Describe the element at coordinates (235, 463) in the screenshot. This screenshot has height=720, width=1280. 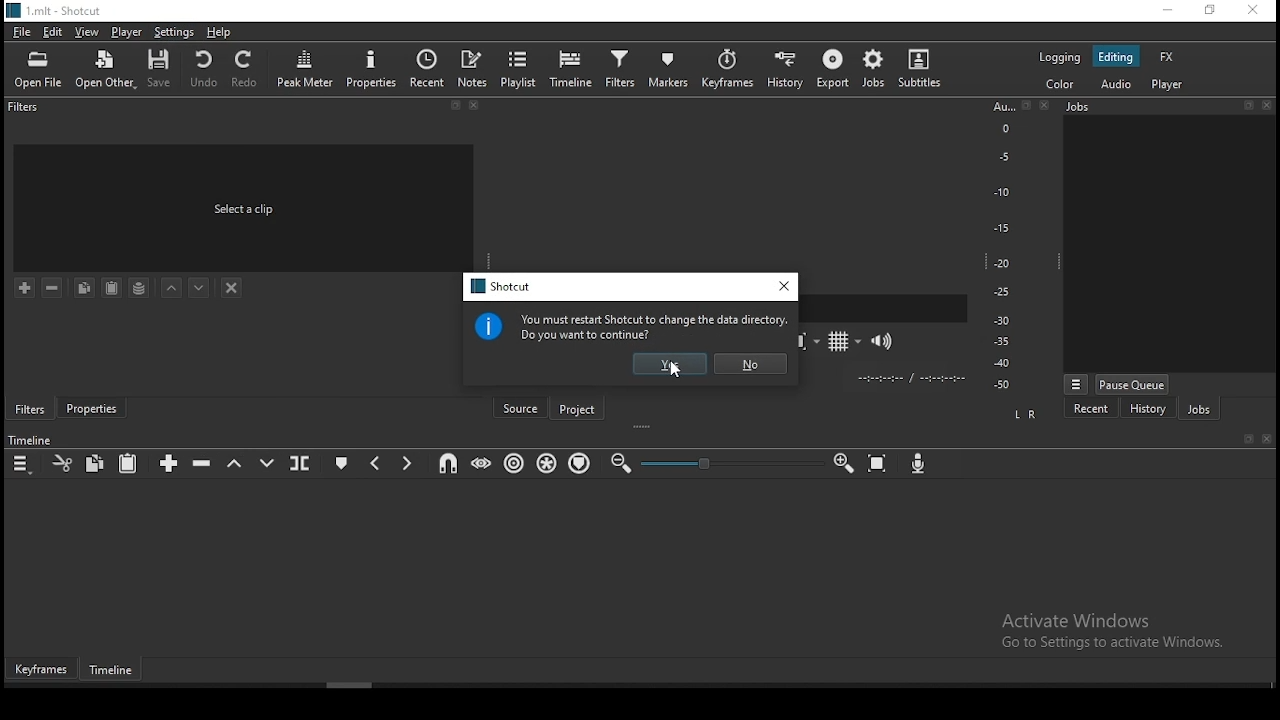
I see `lift` at that location.